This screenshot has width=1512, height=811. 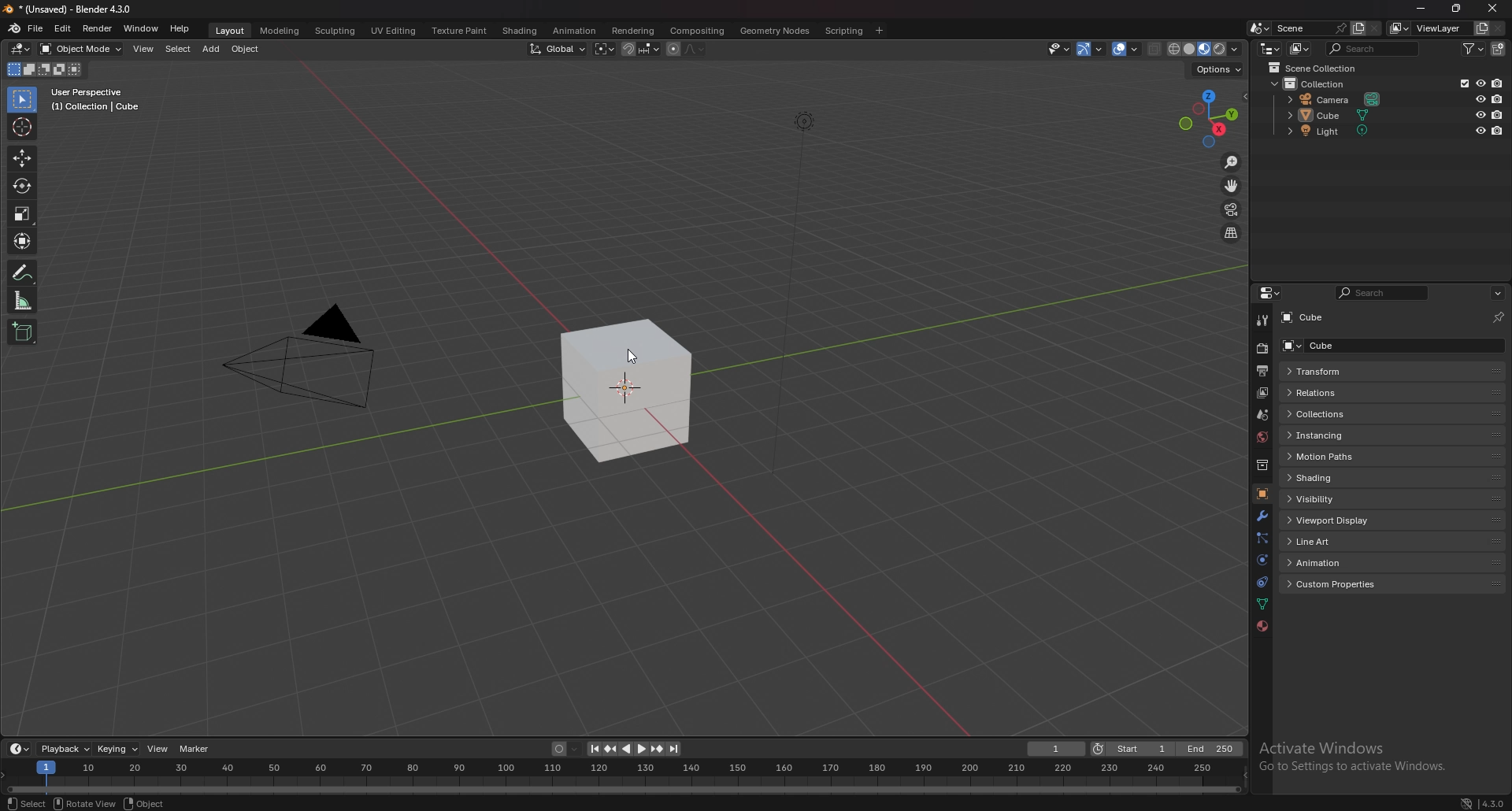 What do you see at coordinates (143, 50) in the screenshot?
I see `view` at bounding box center [143, 50].